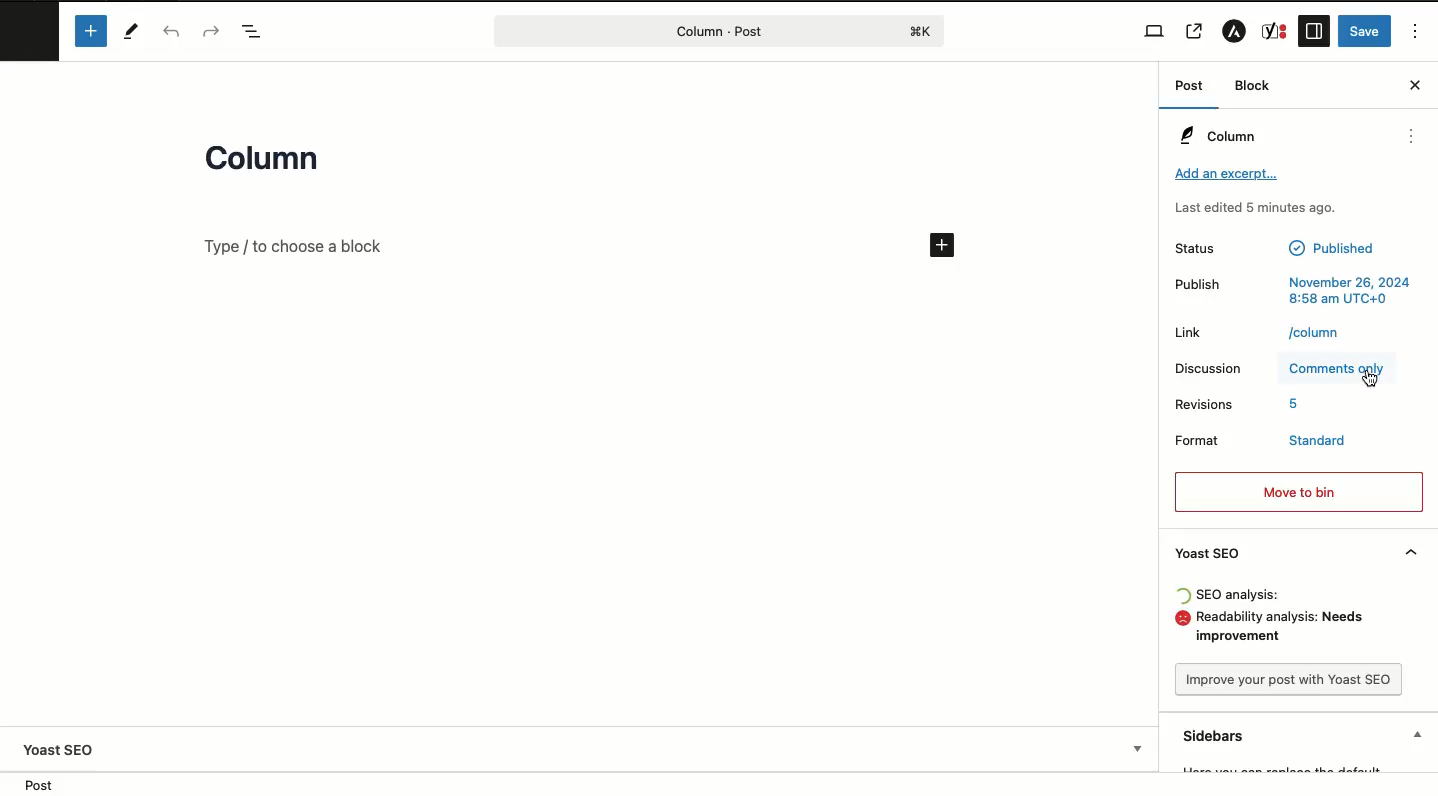  What do you see at coordinates (1202, 440) in the screenshot?
I see `Format` at bounding box center [1202, 440].